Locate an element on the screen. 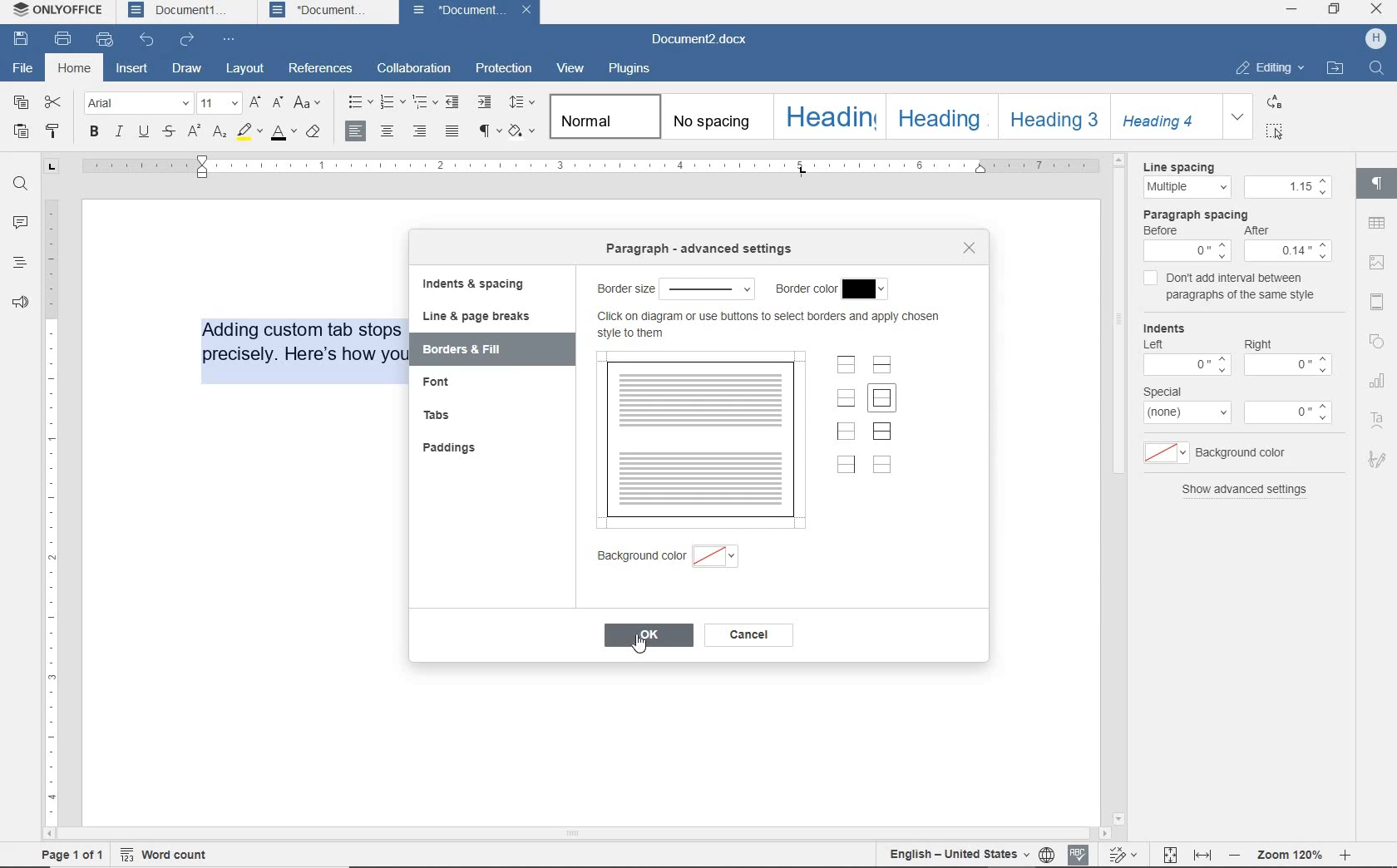 The width and height of the screenshot is (1397, 868). print is located at coordinates (63, 39).